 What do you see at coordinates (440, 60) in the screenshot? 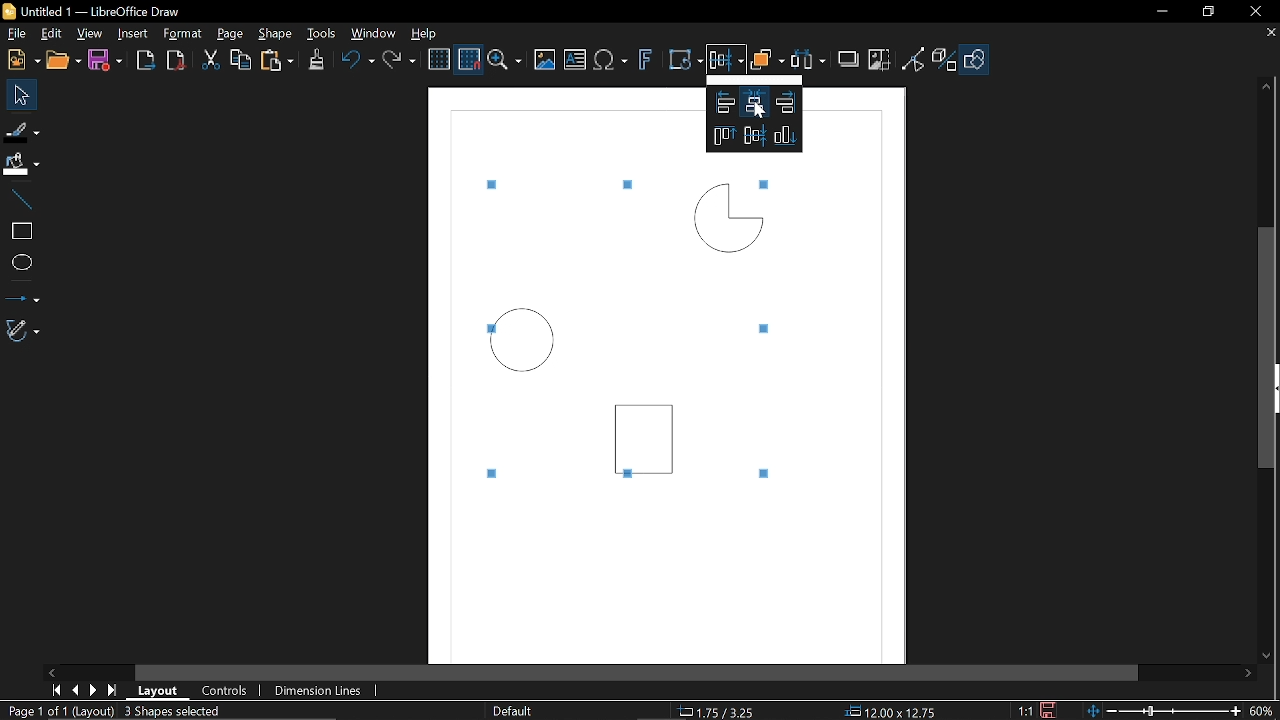
I see `Display grid` at bounding box center [440, 60].